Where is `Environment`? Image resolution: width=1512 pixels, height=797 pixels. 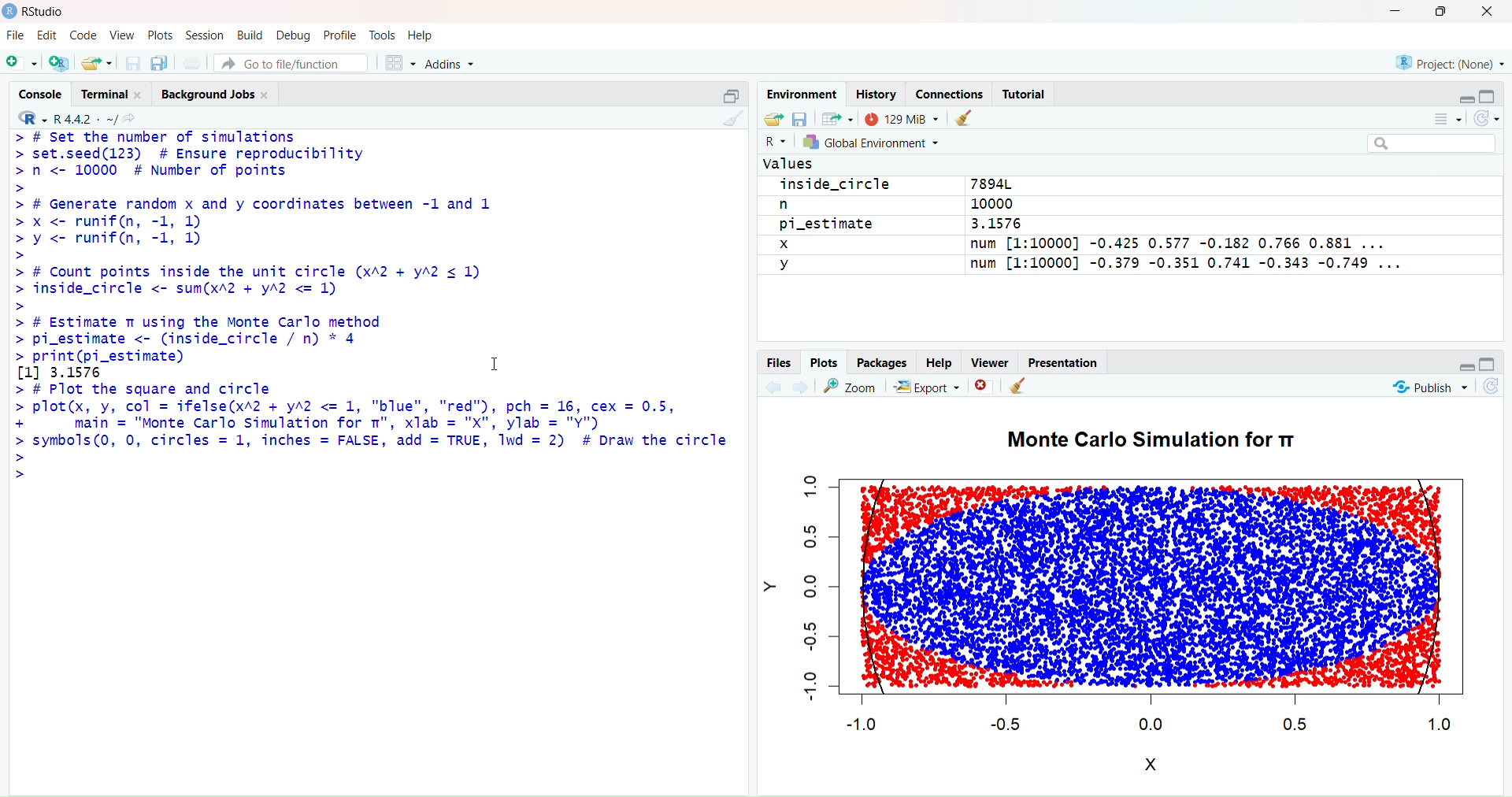
Environment is located at coordinates (806, 94).